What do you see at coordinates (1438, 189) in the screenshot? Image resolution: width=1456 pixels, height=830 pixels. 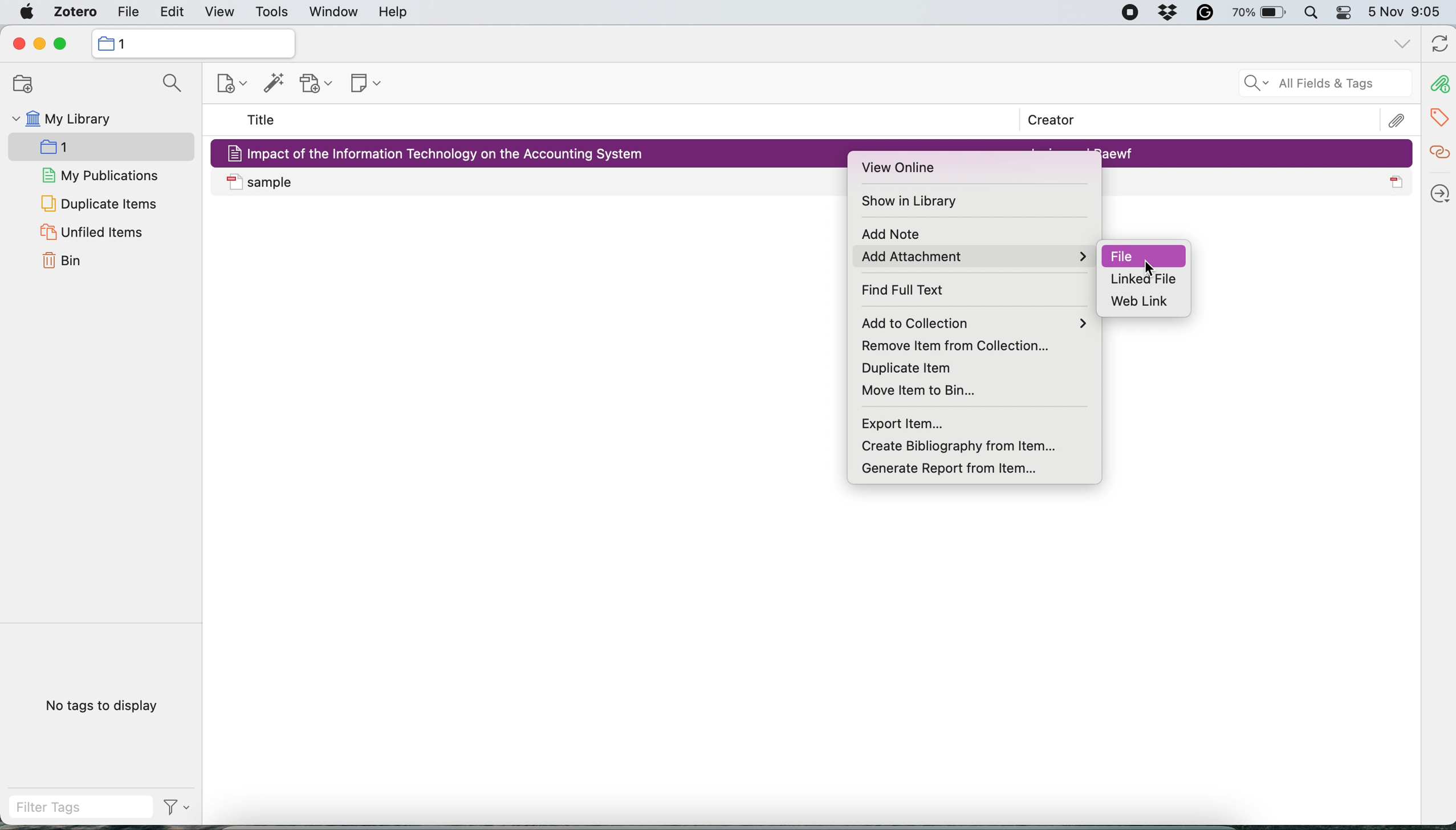 I see `locate` at bounding box center [1438, 189].